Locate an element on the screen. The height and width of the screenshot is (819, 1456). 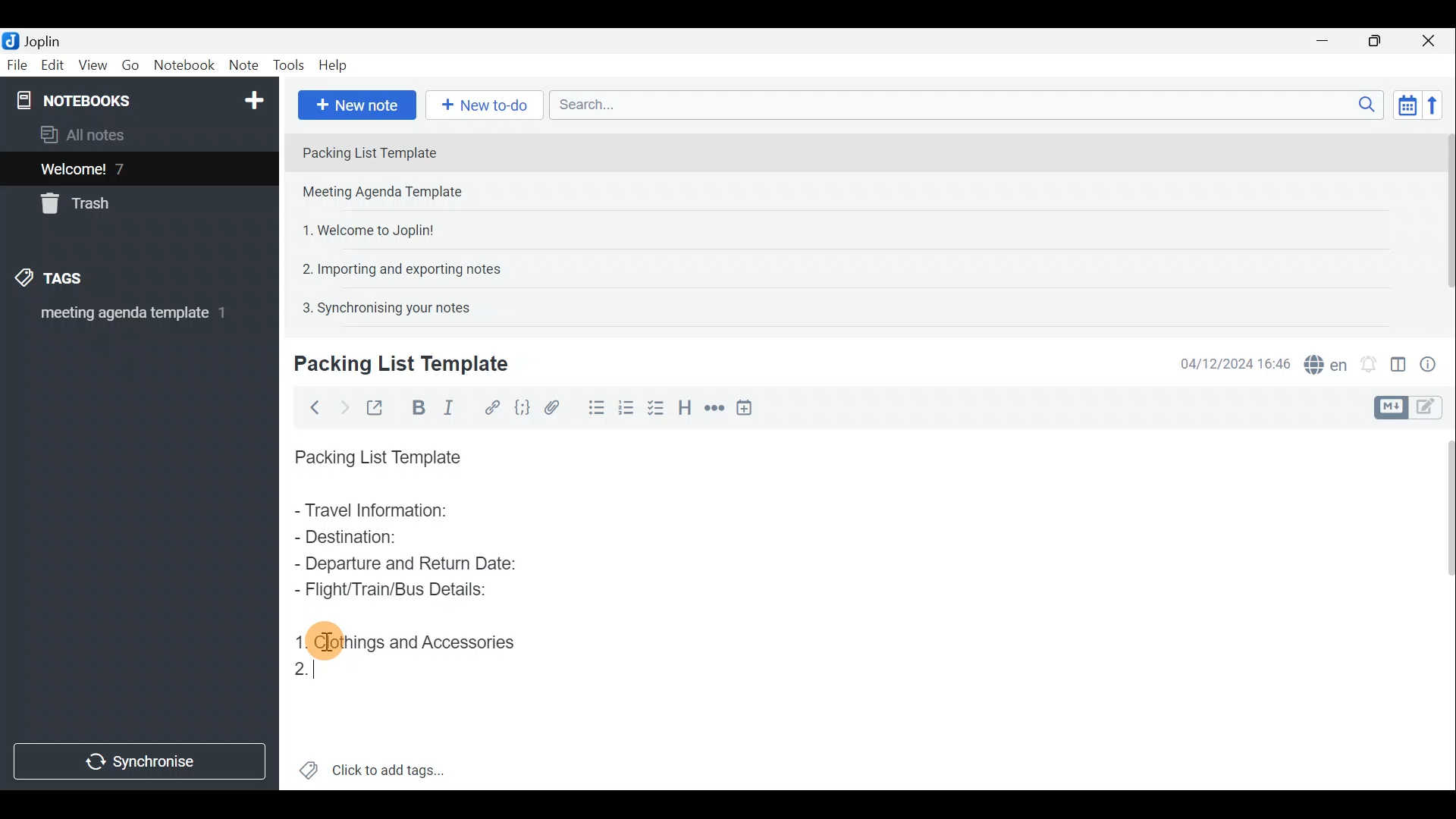
View is located at coordinates (94, 65).